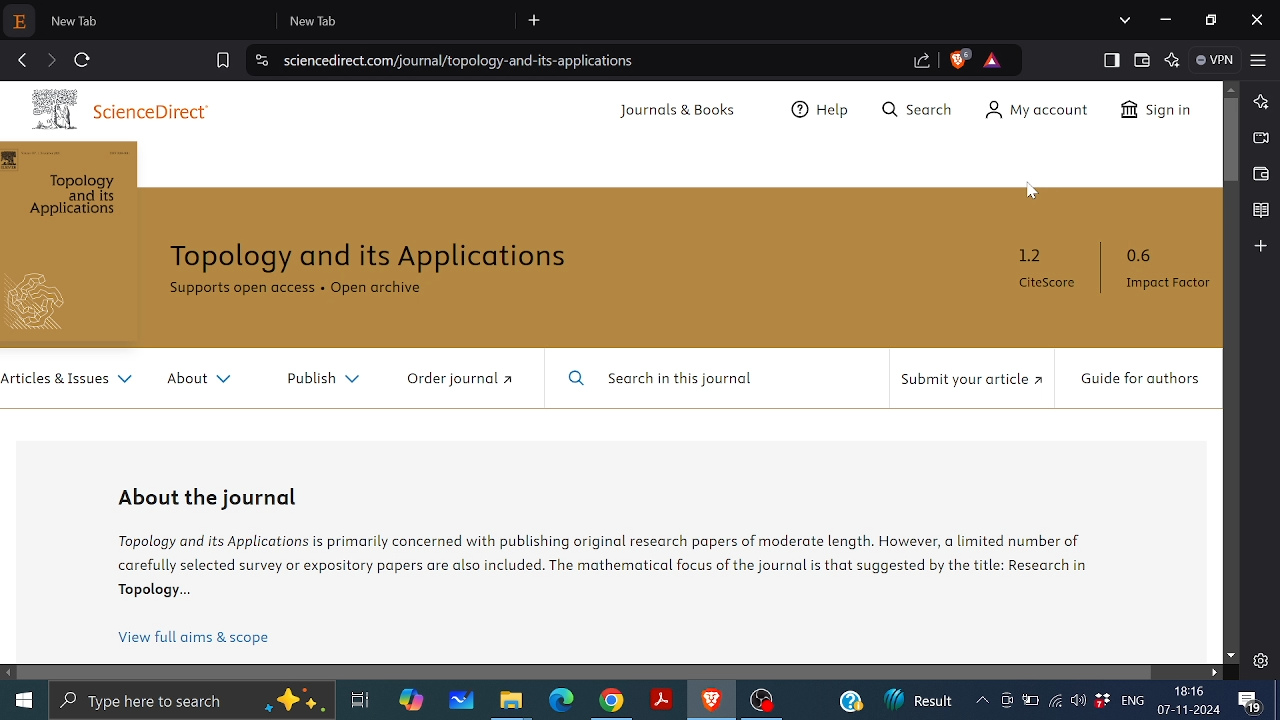  I want to click on Sign In, so click(1159, 114).